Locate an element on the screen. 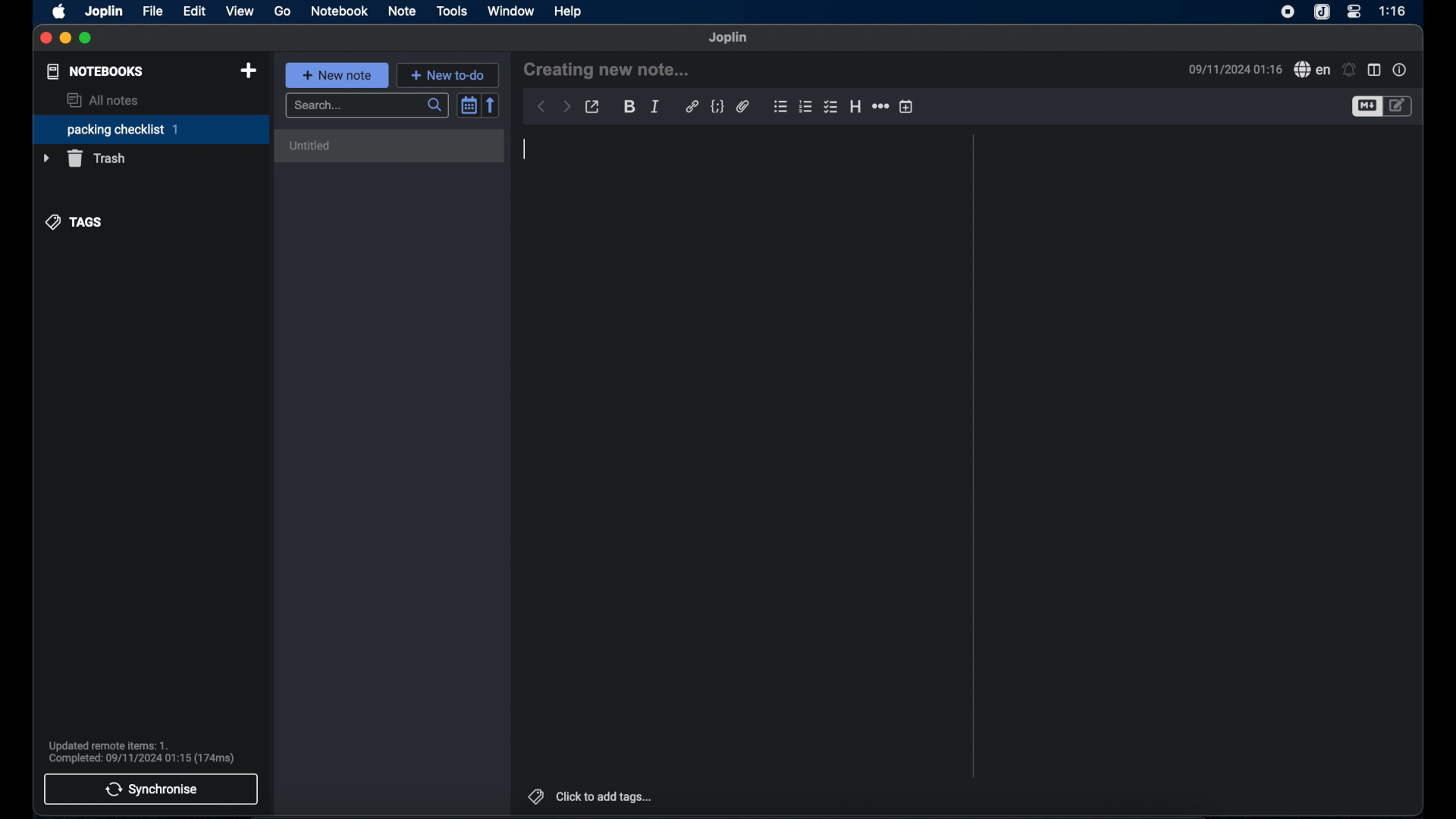 The image size is (1456, 819). attach file is located at coordinates (742, 106).